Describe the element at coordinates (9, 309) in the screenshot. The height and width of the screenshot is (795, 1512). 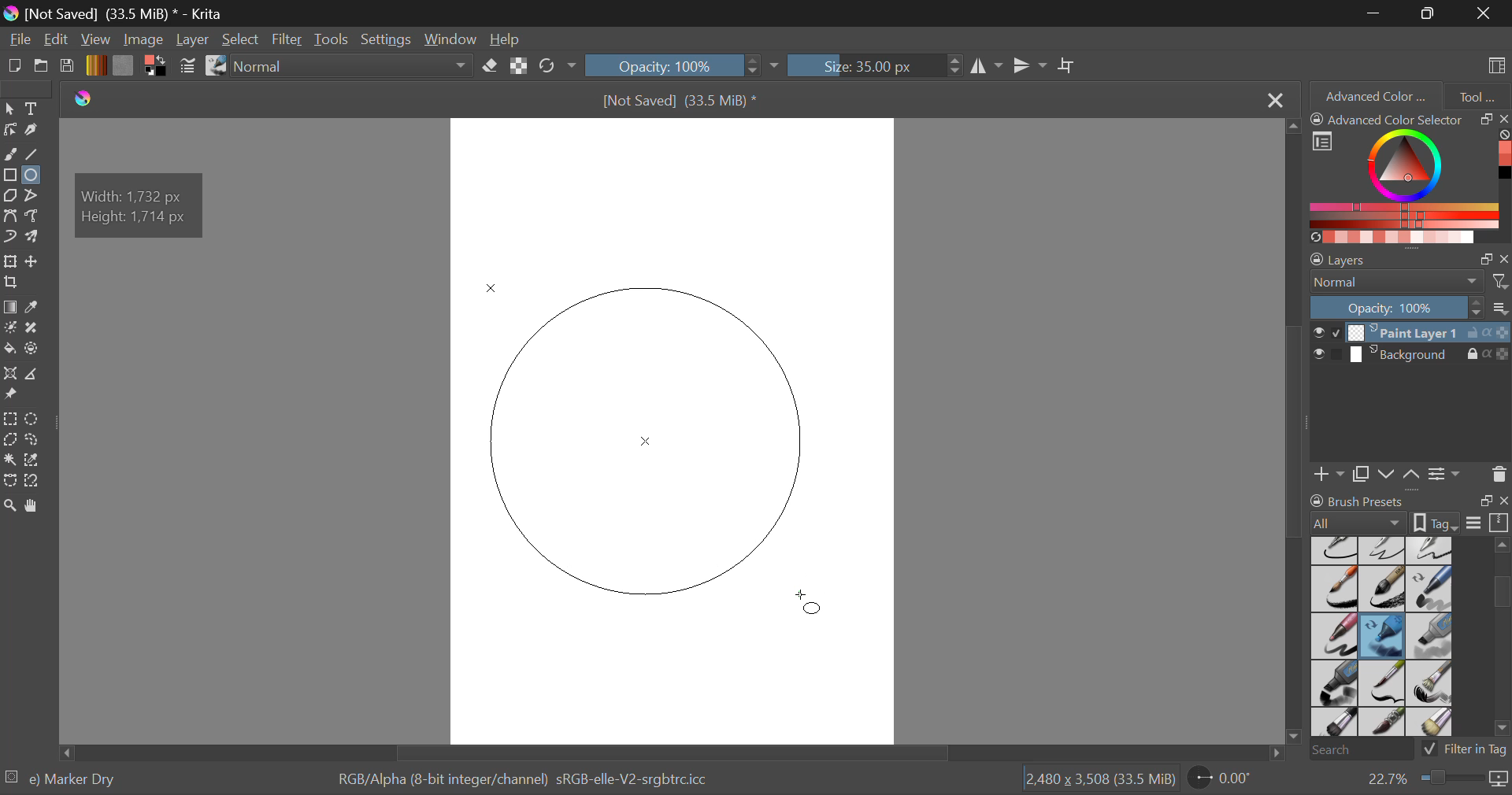
I see `Gradient Fill` at that location.